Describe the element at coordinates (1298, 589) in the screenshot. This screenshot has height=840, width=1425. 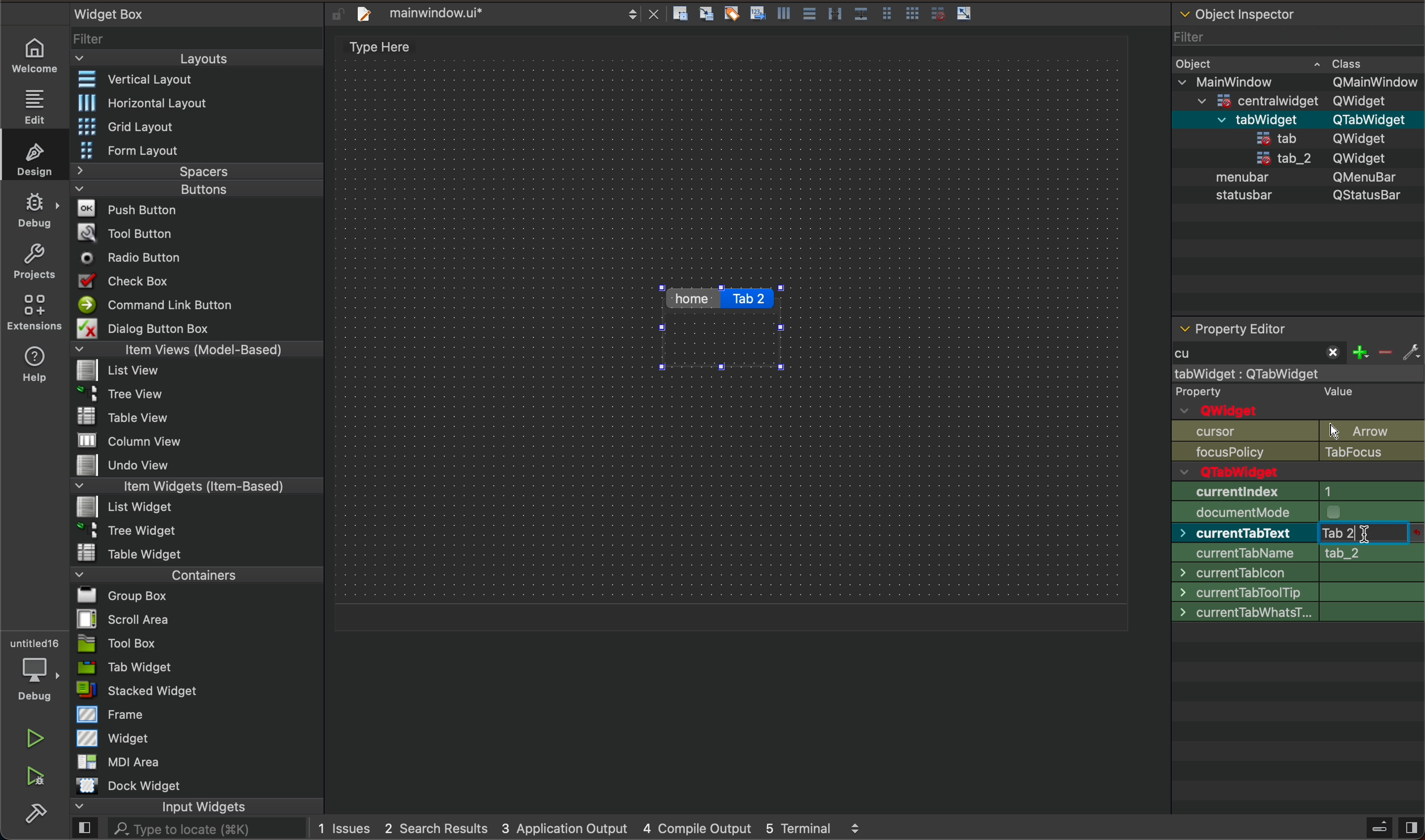
I see `base size` at that location.